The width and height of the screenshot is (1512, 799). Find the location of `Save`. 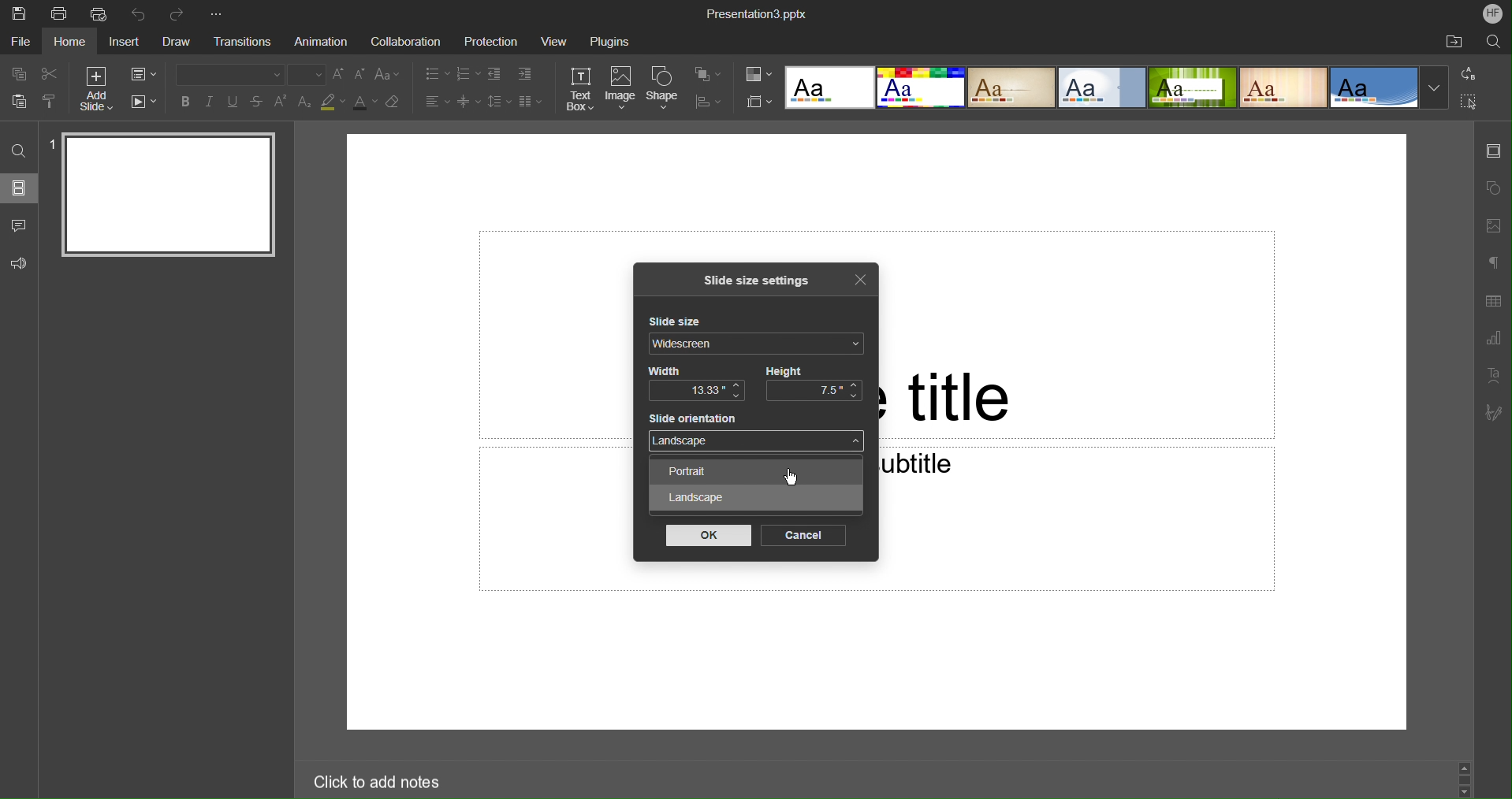

Save is located at coordinates (20, 13).